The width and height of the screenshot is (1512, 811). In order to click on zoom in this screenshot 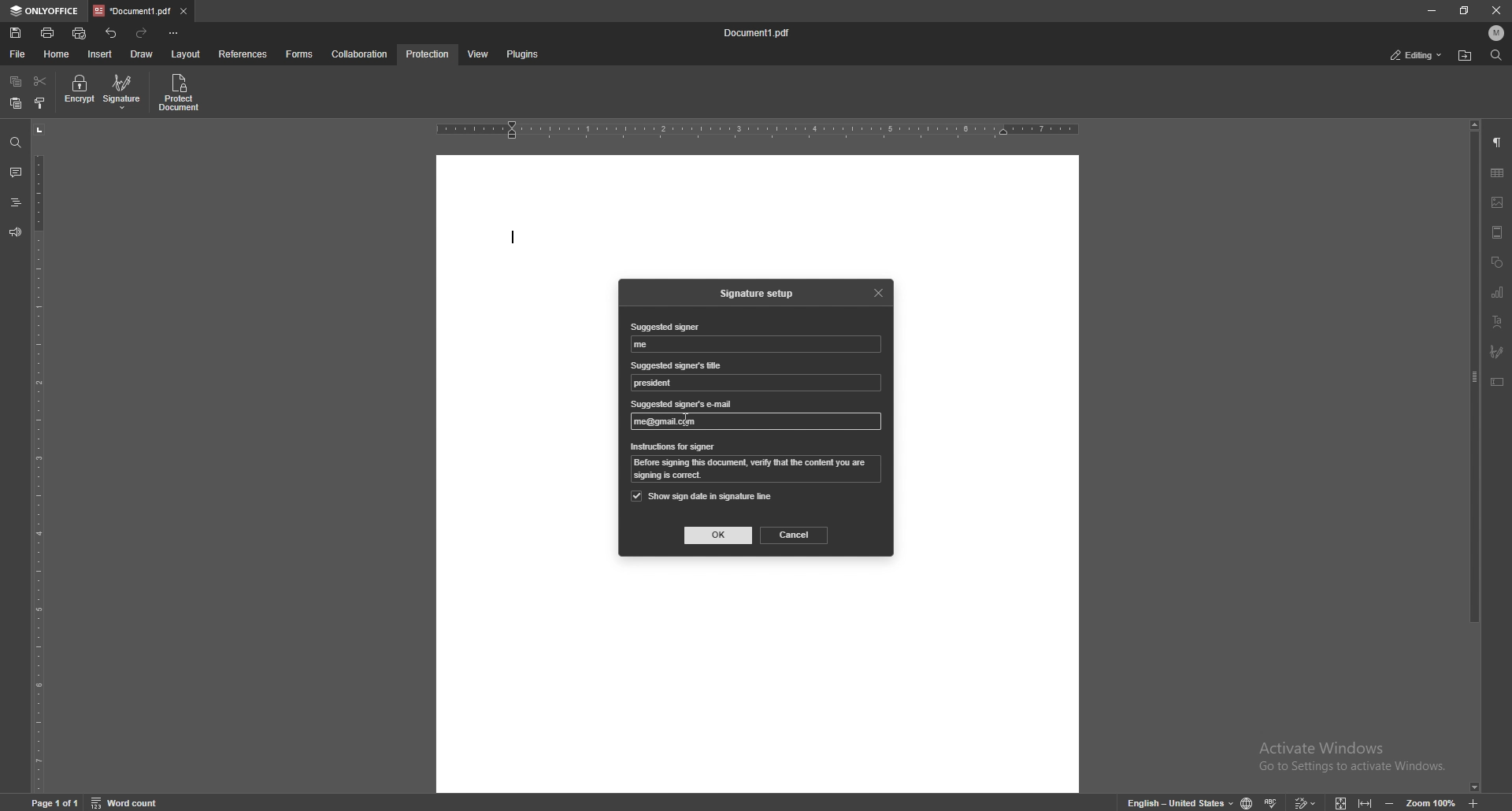, I will do `click(1420, 802)`.